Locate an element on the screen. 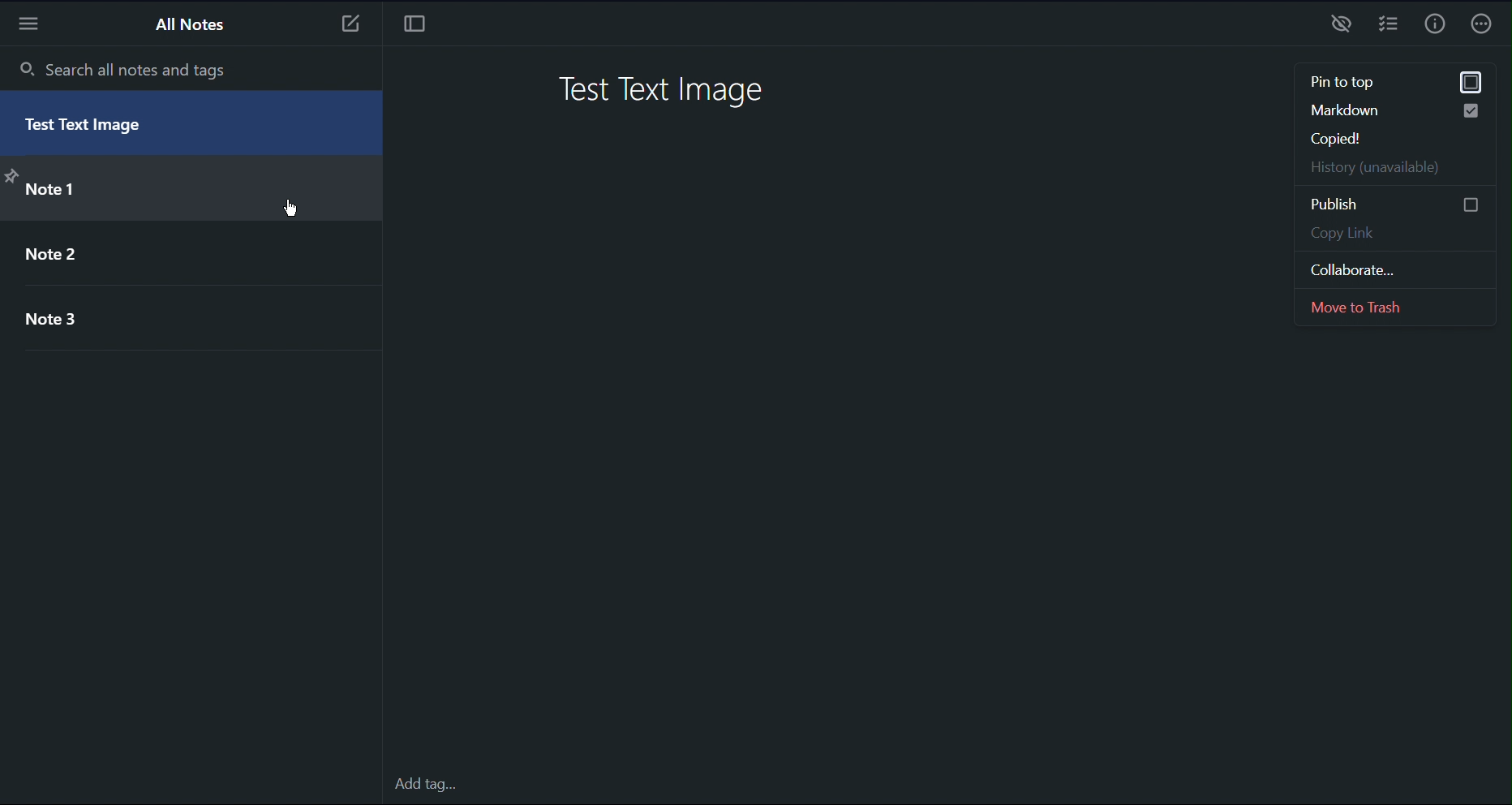  Markdown is located at coordinates (1390, 110).